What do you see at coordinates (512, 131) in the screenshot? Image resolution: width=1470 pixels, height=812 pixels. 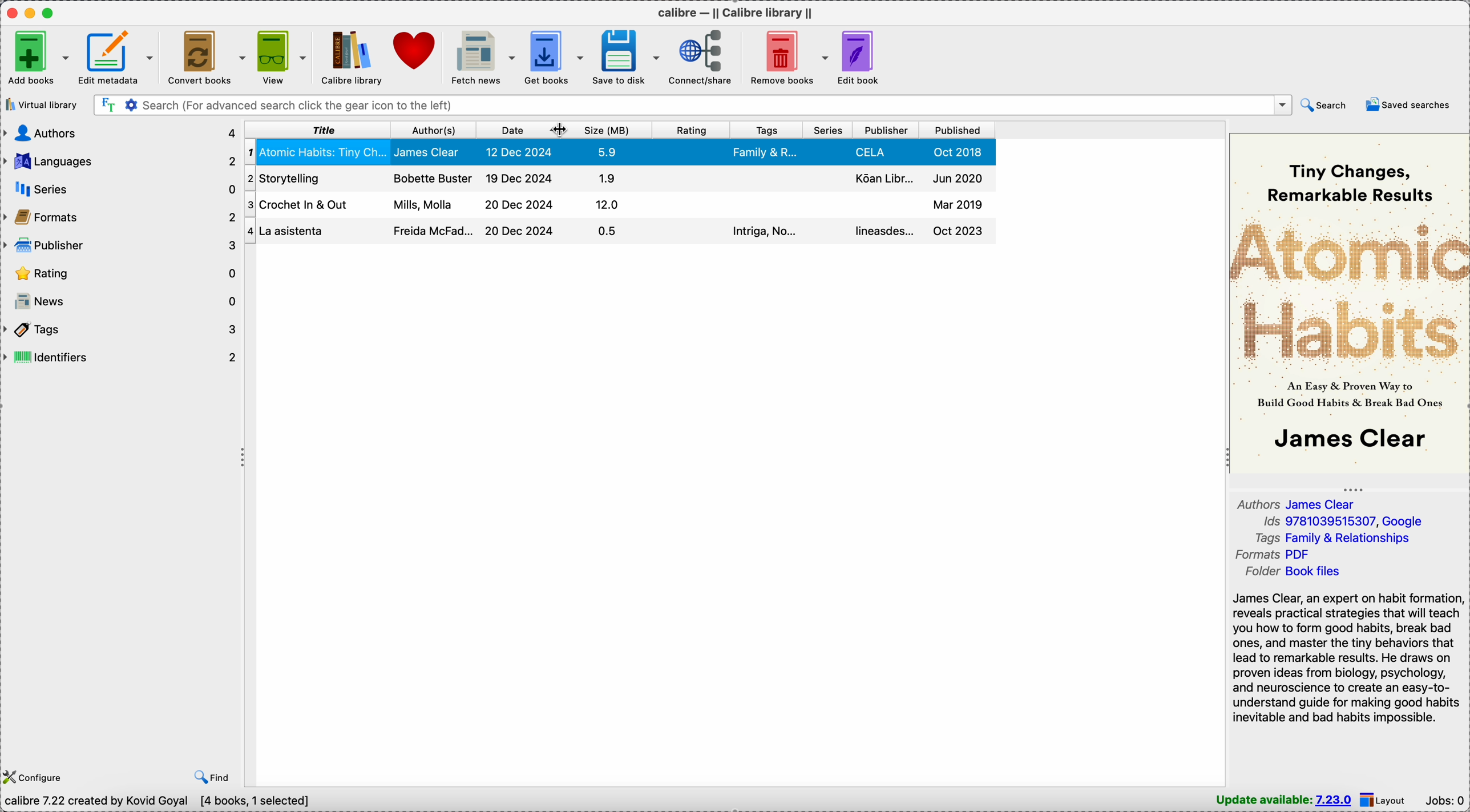 I see `date` at bounding box center [512, 131].